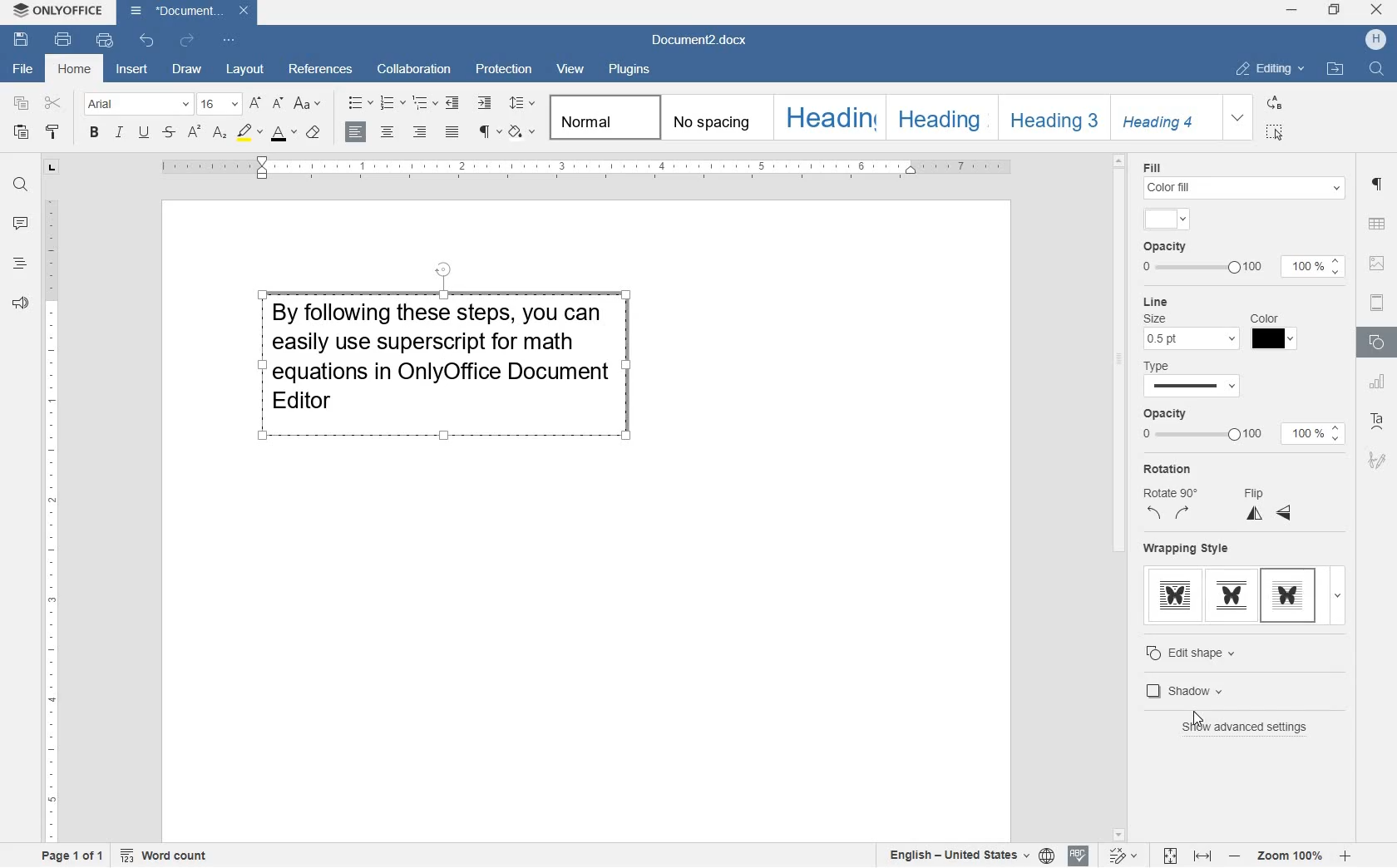 This screenshot has height=868, width=1397. Describe the element at coordinates (602, 117) in the screenshot. I see `Normal` at that location.